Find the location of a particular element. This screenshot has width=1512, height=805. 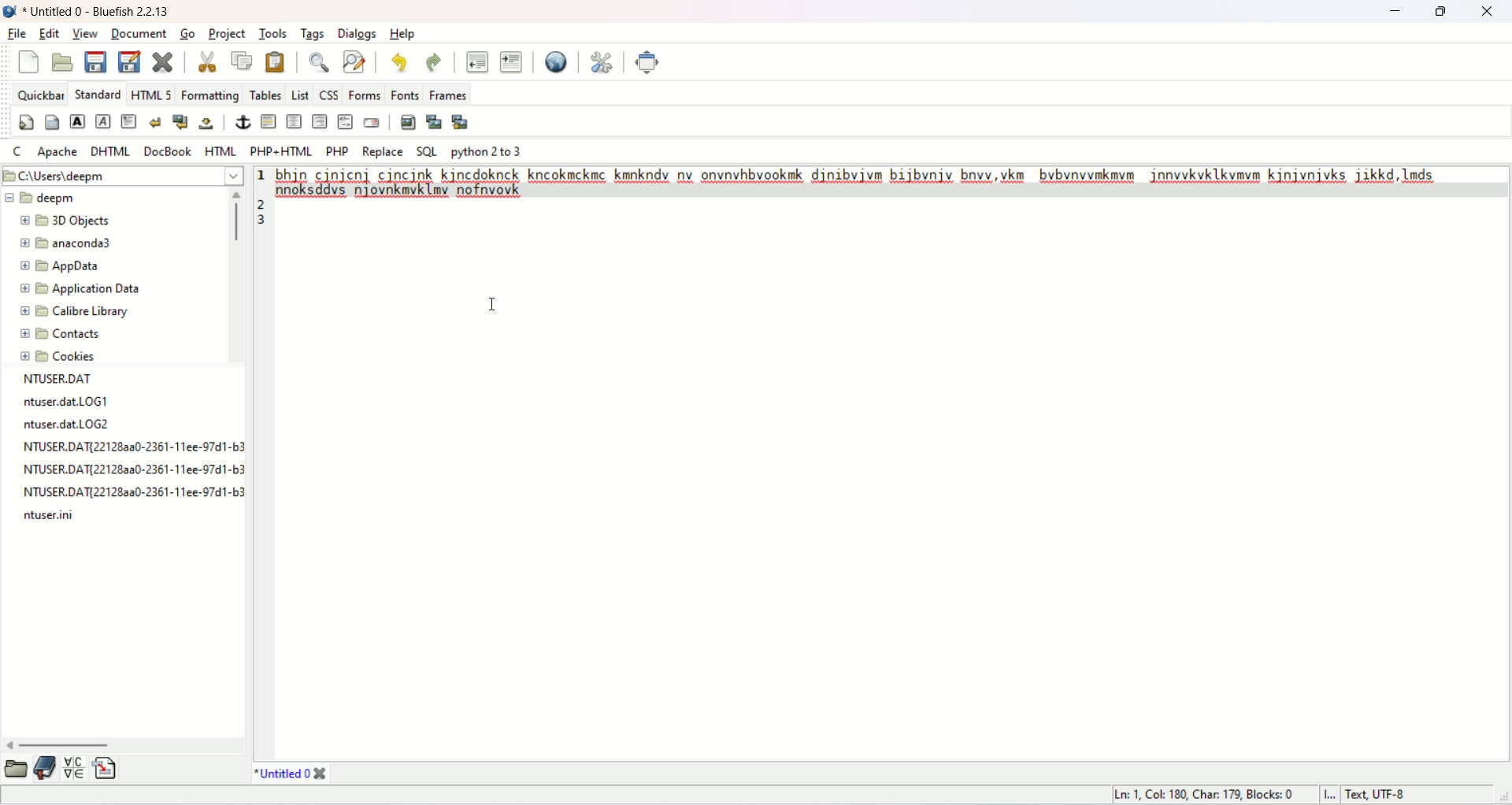

email is located at coordinates (373, 122).